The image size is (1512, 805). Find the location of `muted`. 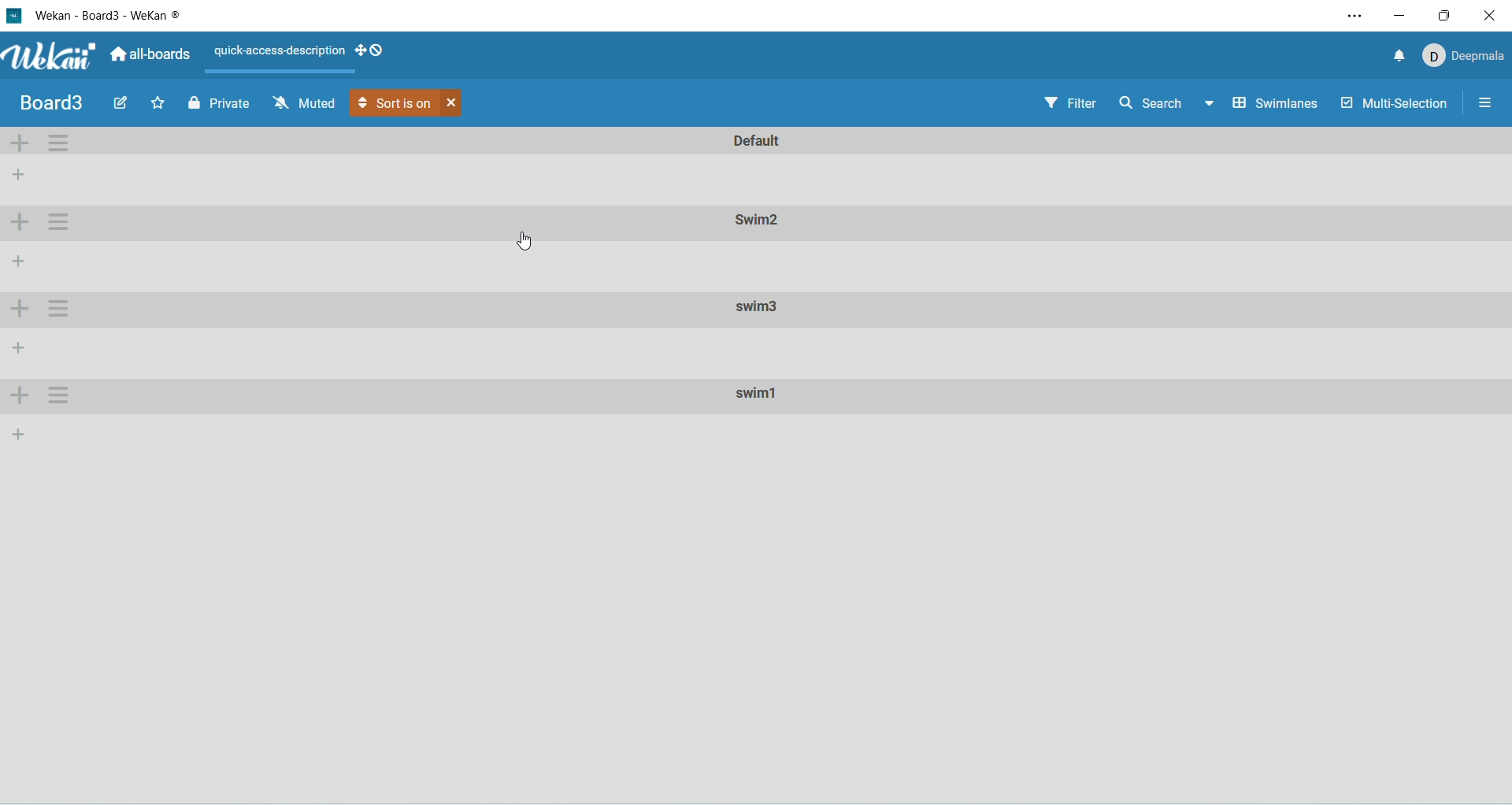

muted is located at coordinates (303, 103).